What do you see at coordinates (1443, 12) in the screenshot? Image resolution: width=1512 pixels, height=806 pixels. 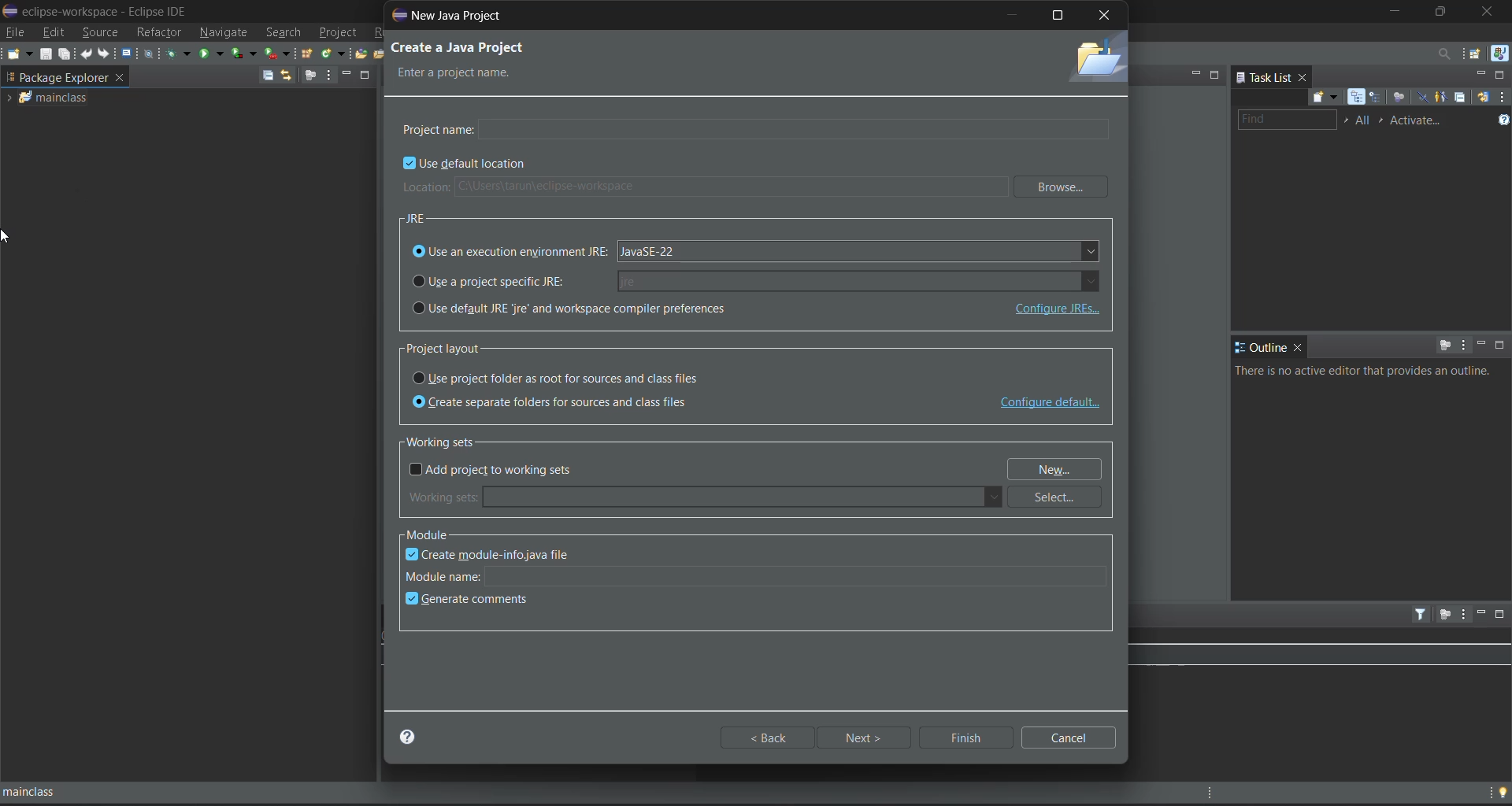 I see `maximize` at bounding box center [1443, 12].